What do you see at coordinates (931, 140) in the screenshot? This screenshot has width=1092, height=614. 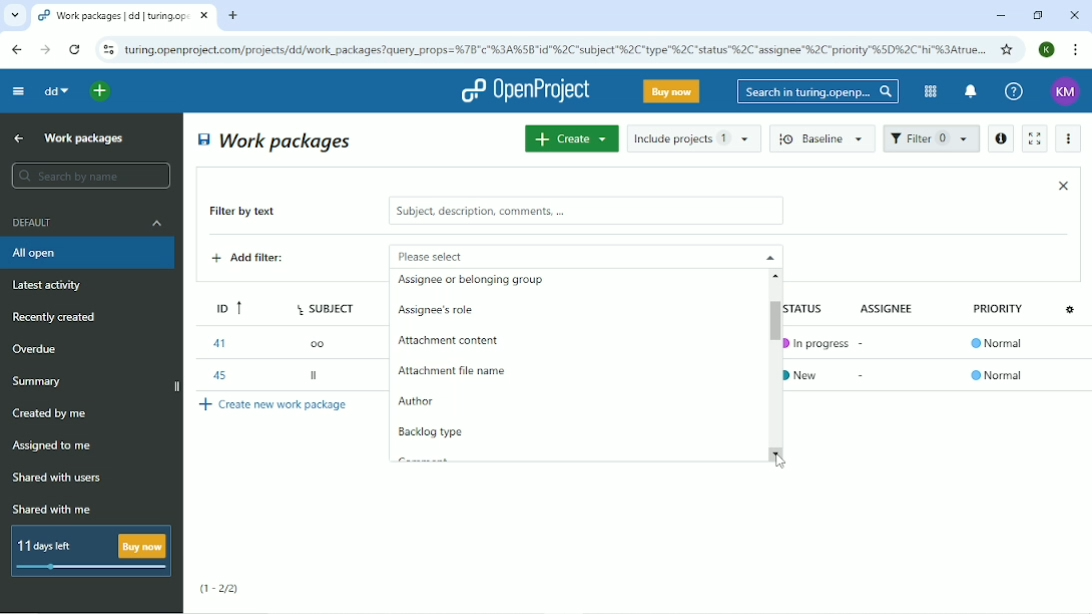 I see `Filter 1` at bounding box center [931, 140].